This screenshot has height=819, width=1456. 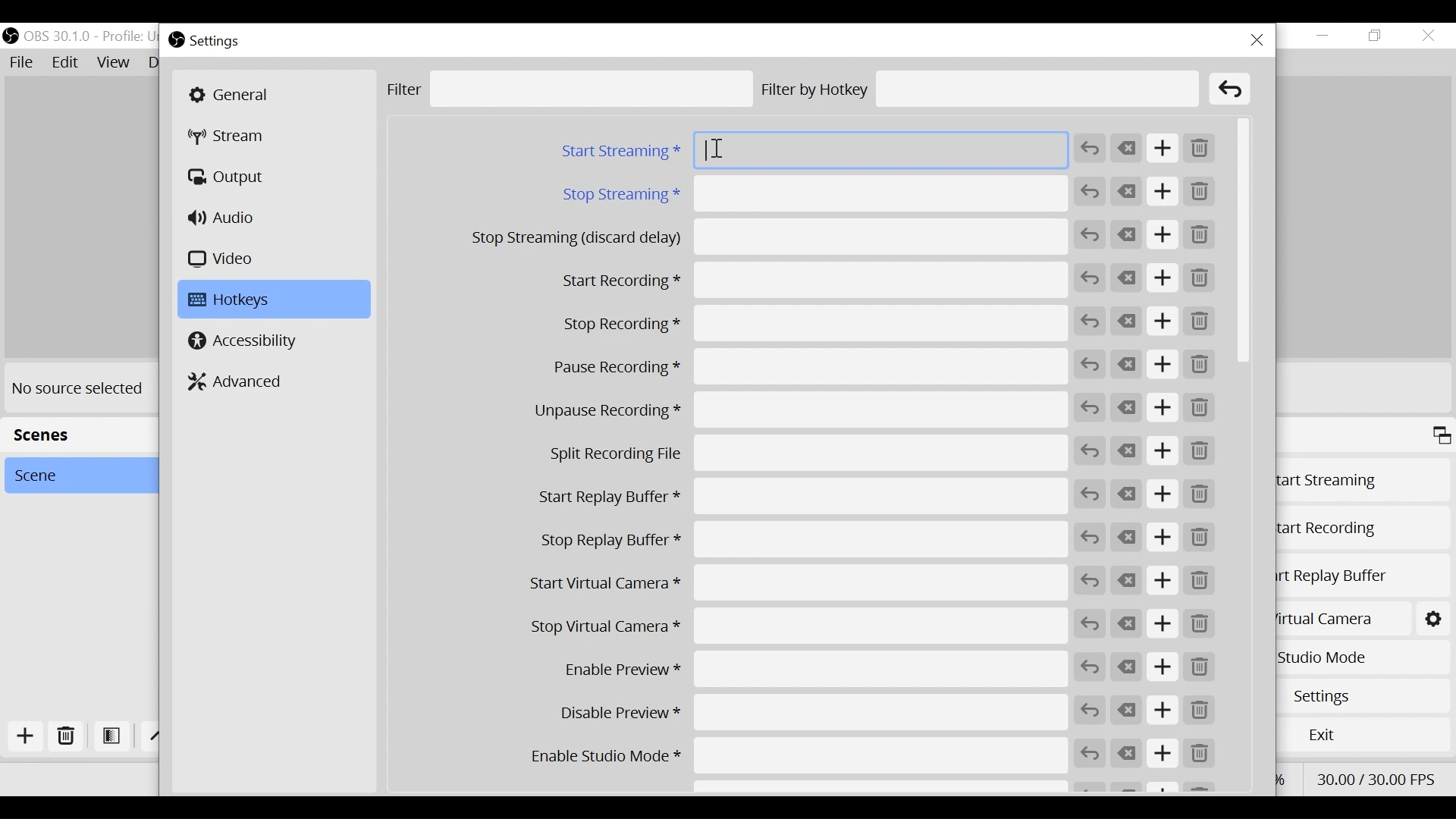 What do you see at coordinates (242, 380) in the screenshot?
I see `Advanced` at bounding box center [242, 380].